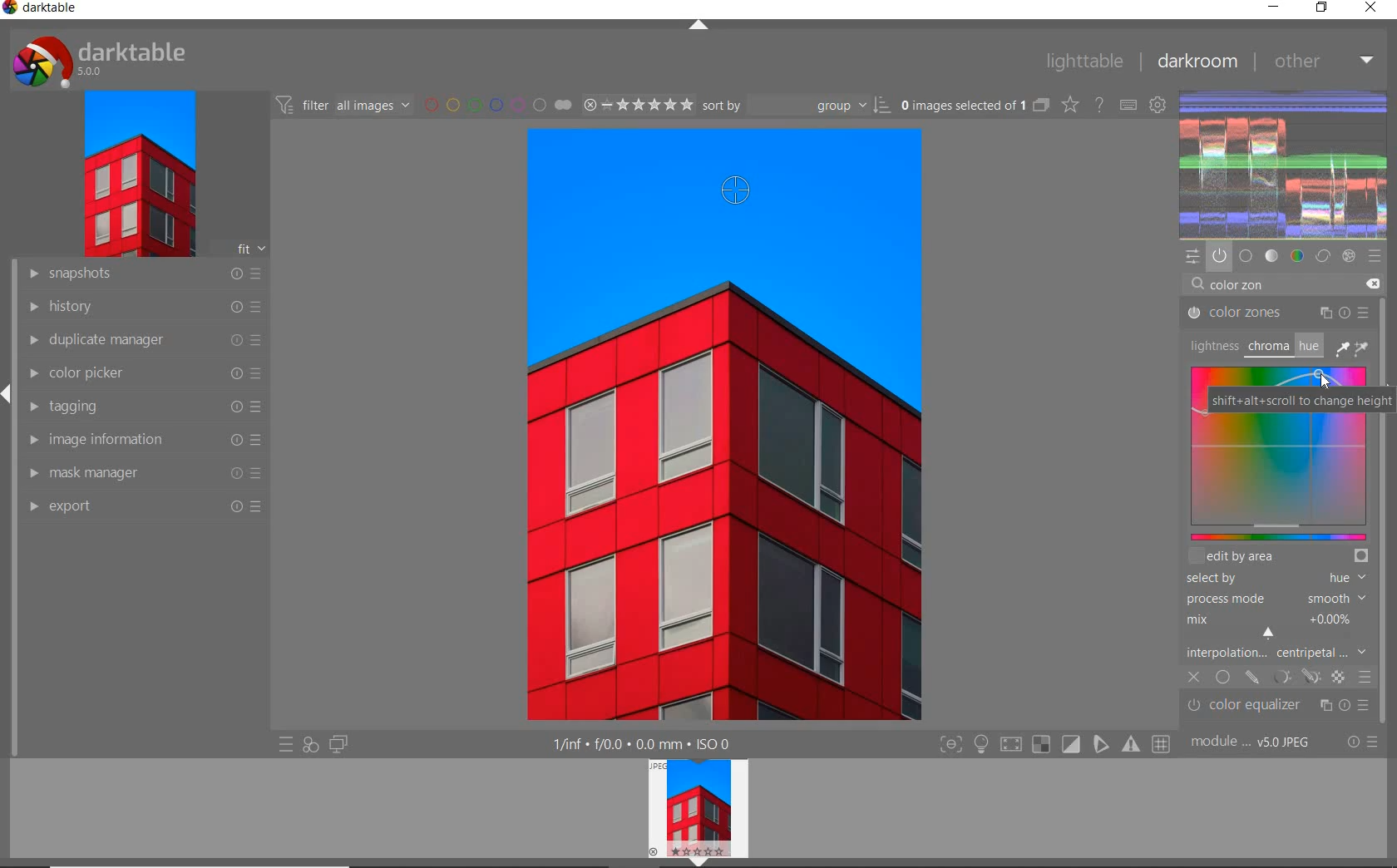 The height and width of the screenshot is (868, 1397). What do you see at coordinates (1271, 579) in the screenshot?
I see `SELECTED BY` at bounding box center [1271, 579].